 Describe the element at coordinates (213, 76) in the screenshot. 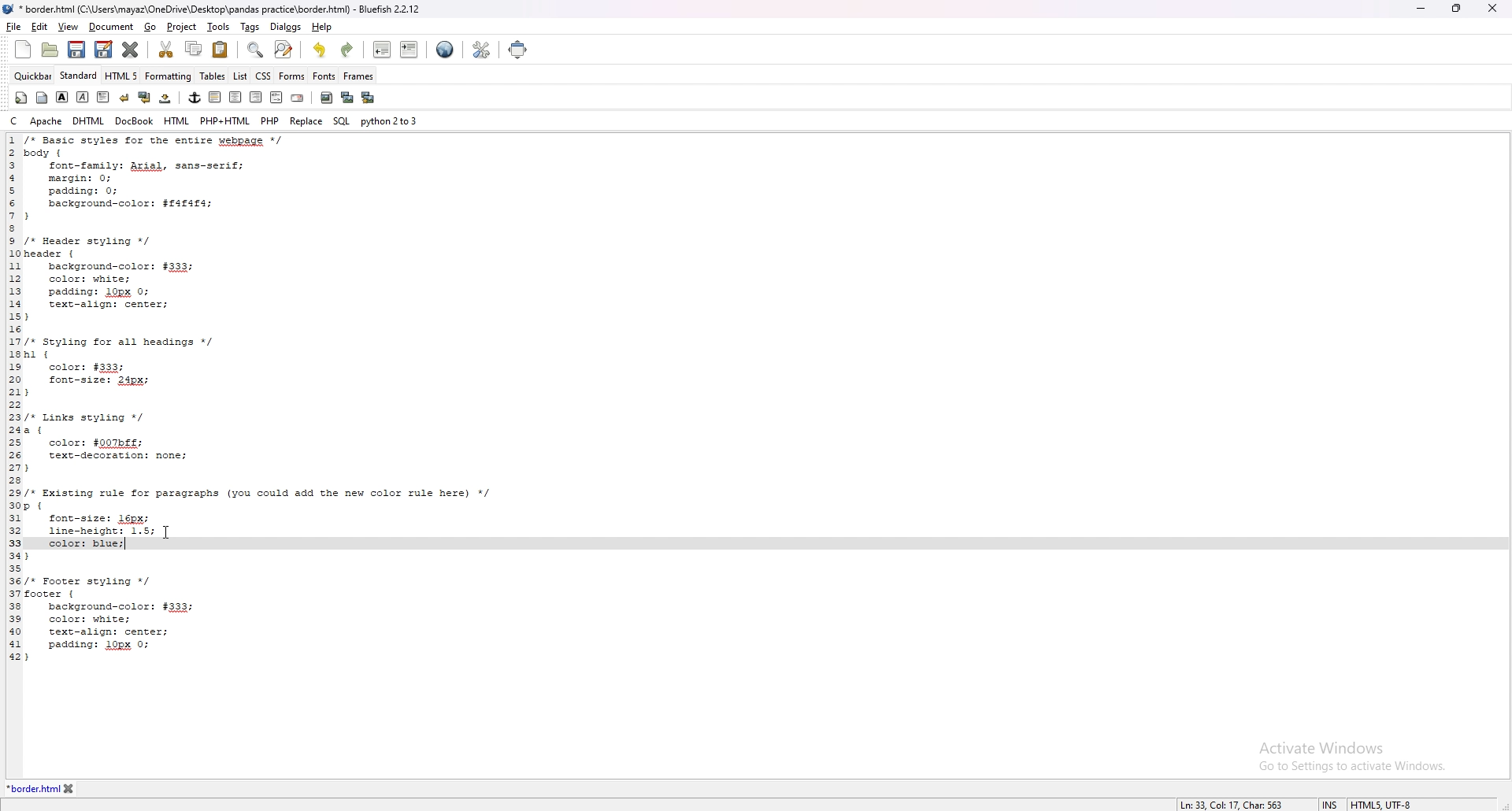

I see `tables` at that location.